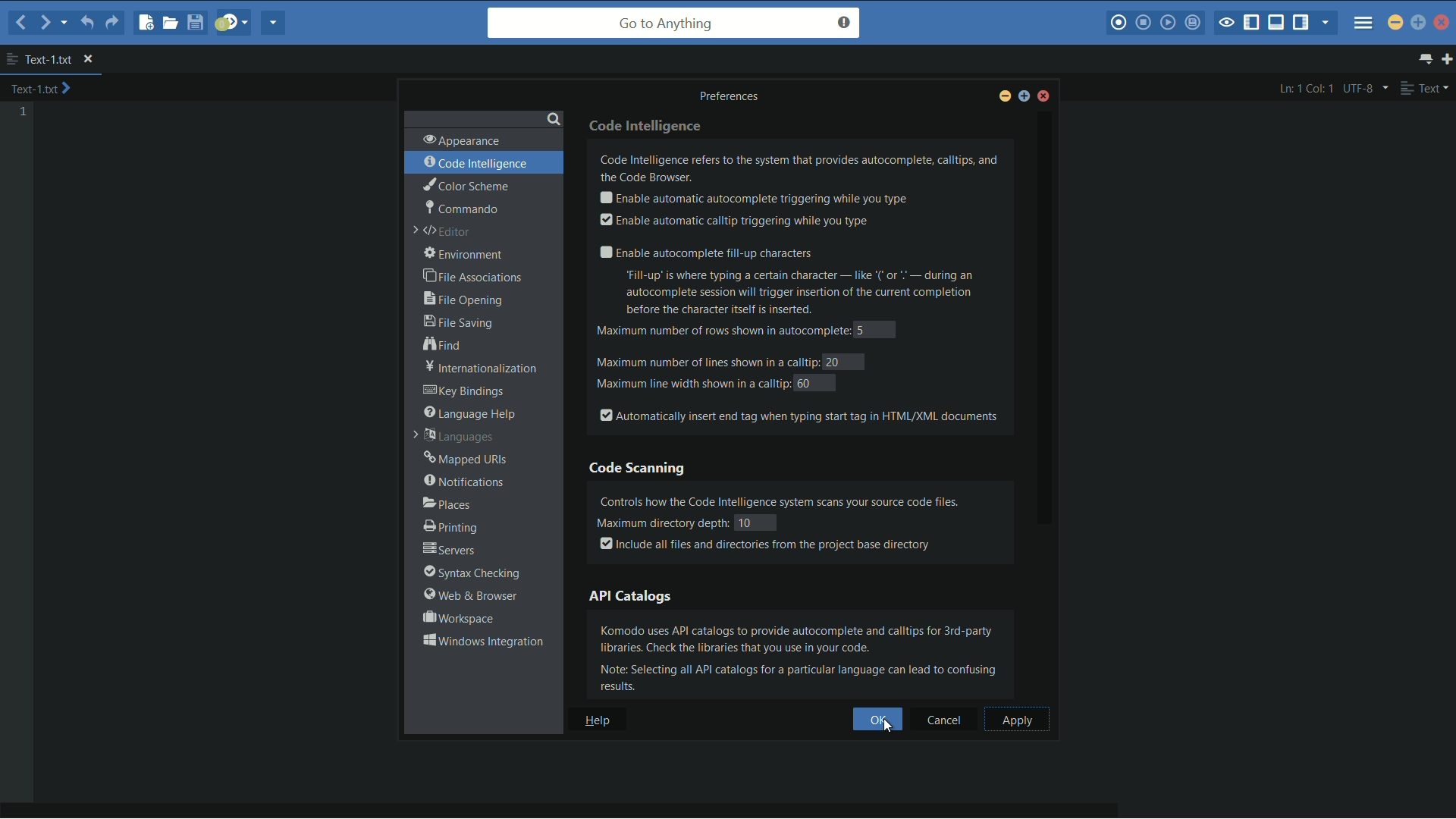  I want to click on 60, so click(805, 382).